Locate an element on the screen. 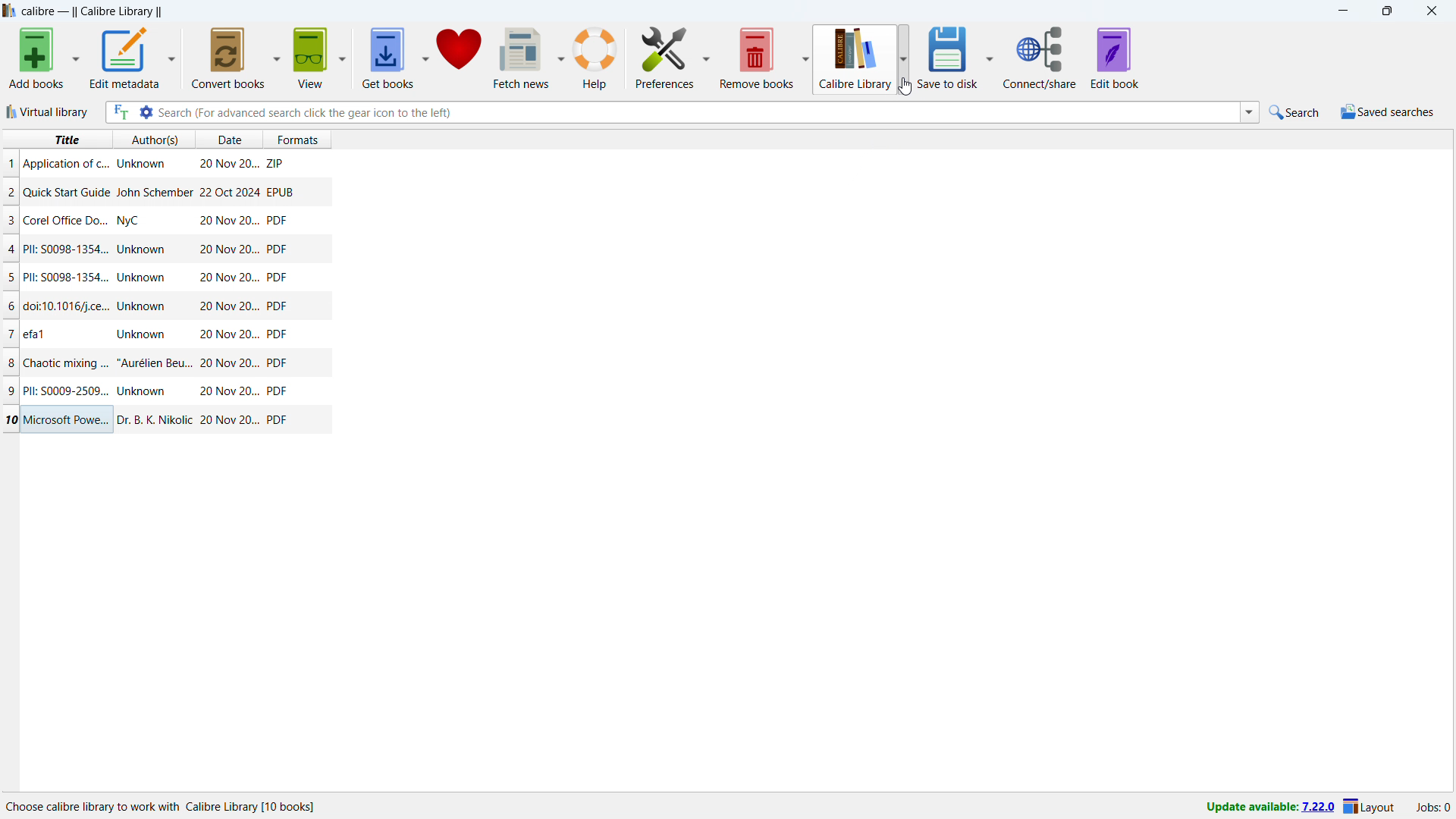  save to disk options is located at coordinates (991, 55).